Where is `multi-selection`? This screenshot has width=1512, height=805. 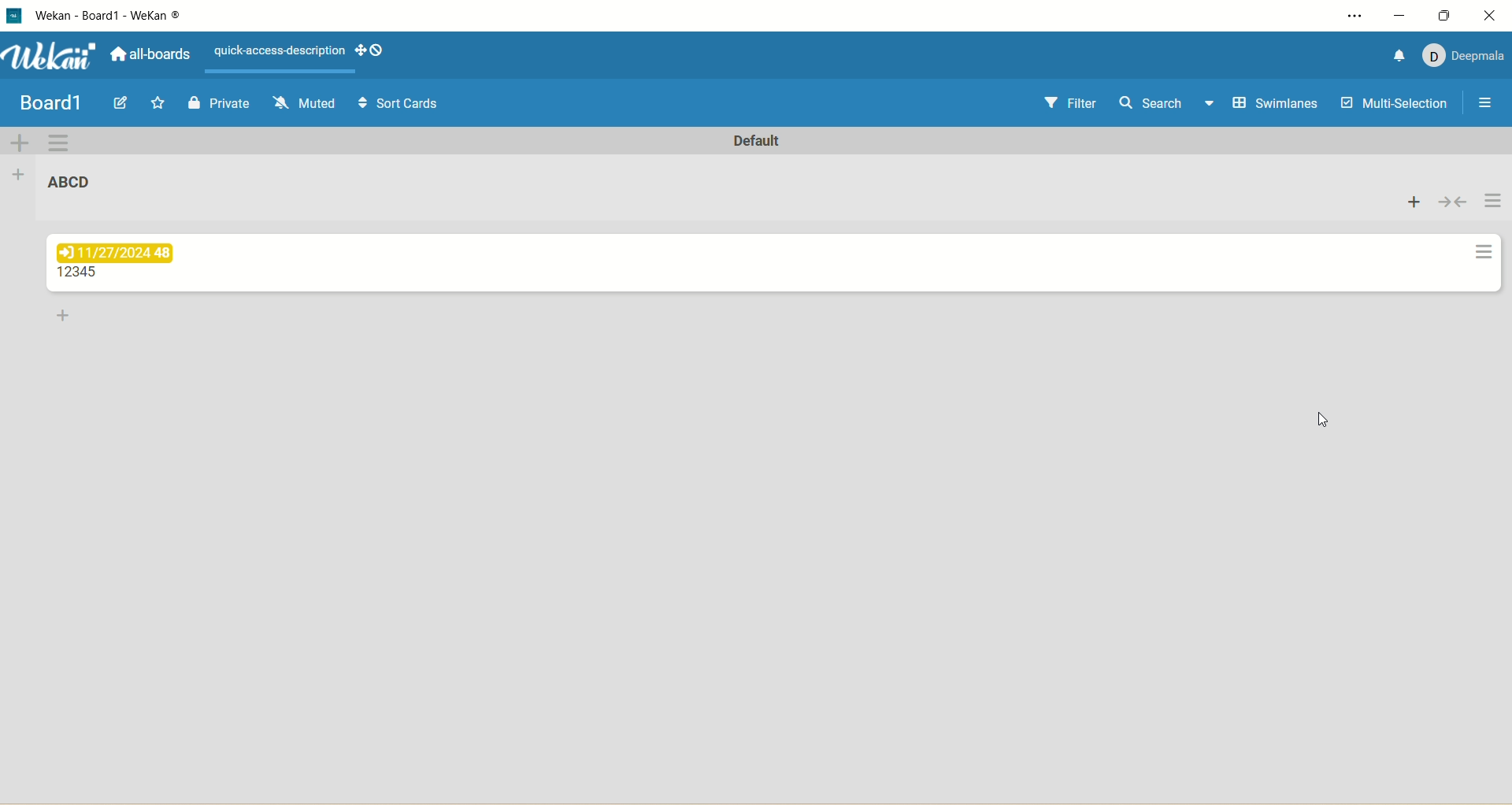
multi-selection is located at coordinates (1395, 106).